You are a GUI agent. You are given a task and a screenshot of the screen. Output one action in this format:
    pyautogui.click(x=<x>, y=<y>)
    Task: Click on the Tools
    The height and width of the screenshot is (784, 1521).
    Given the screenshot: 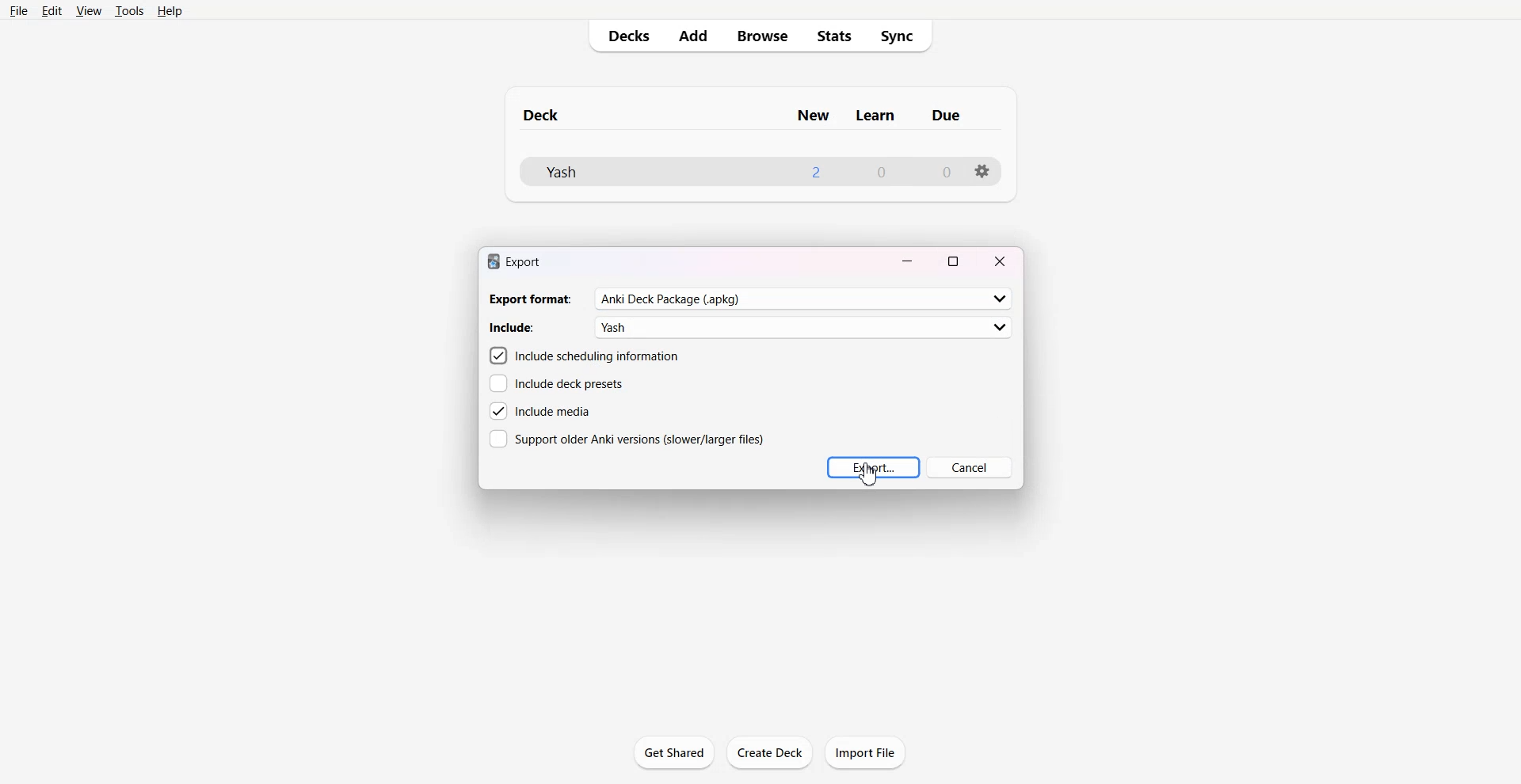 What is the action you would take?
    pyautogui.click(x=130, y=12)
    